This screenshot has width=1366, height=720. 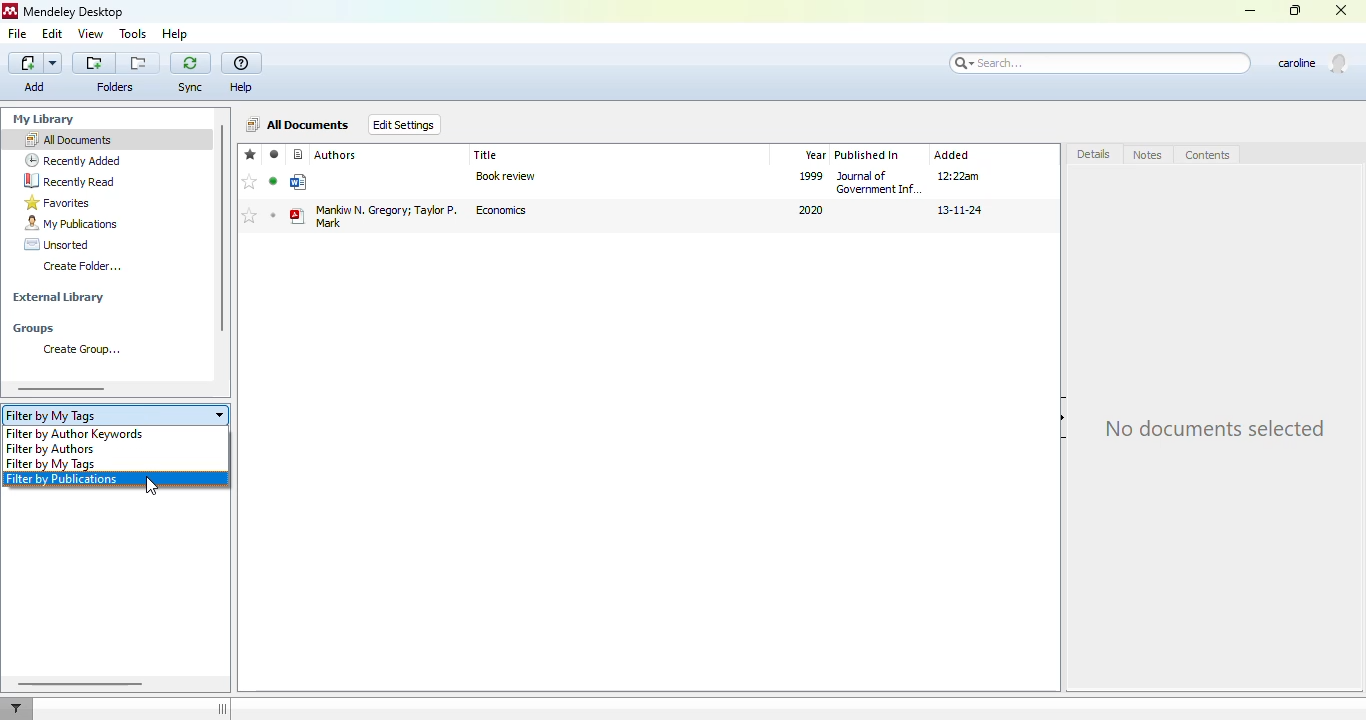 I want to click on maximize, so click(x=1295, y=10).